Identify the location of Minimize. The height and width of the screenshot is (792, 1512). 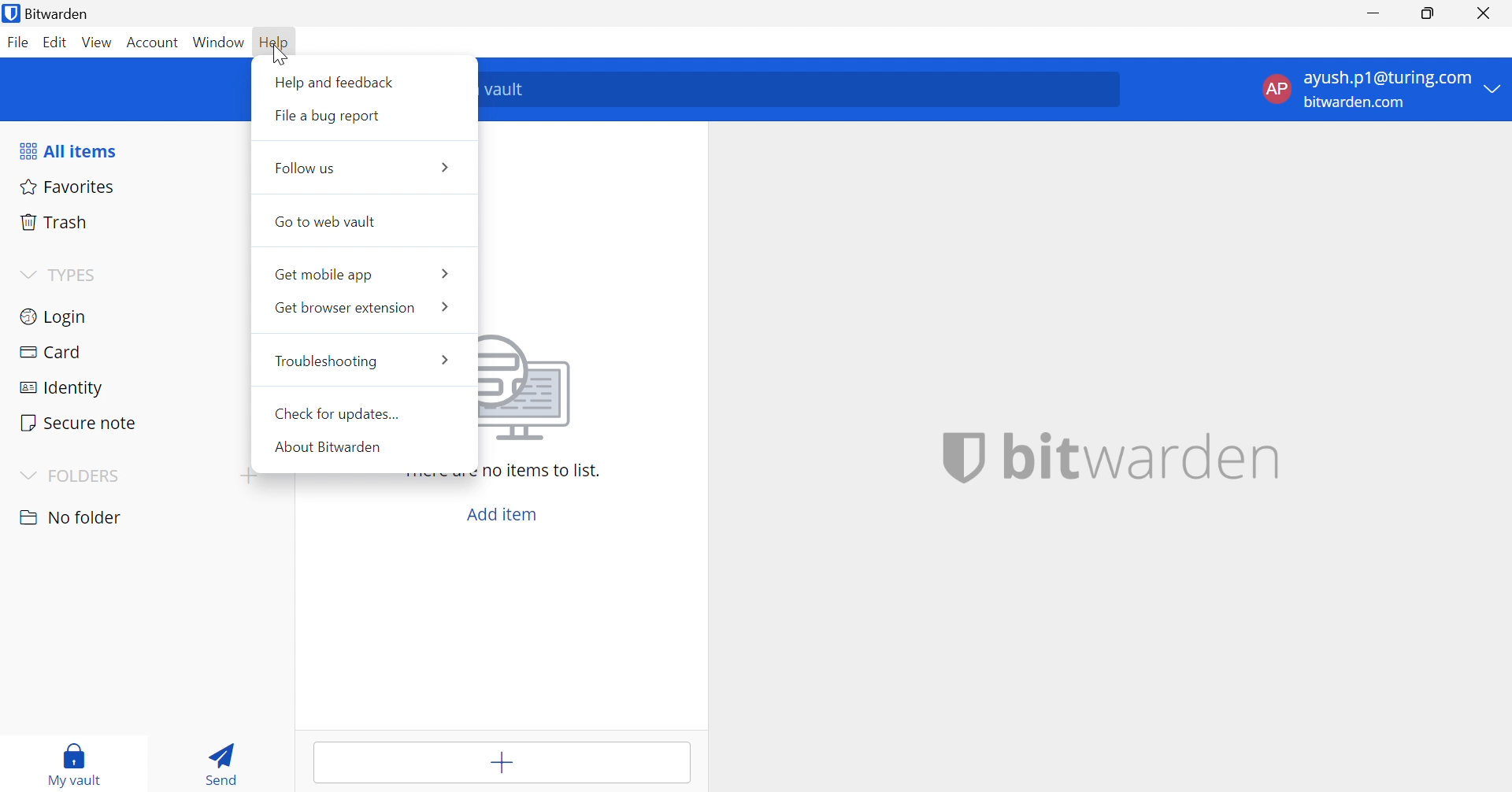
(1372, 15).